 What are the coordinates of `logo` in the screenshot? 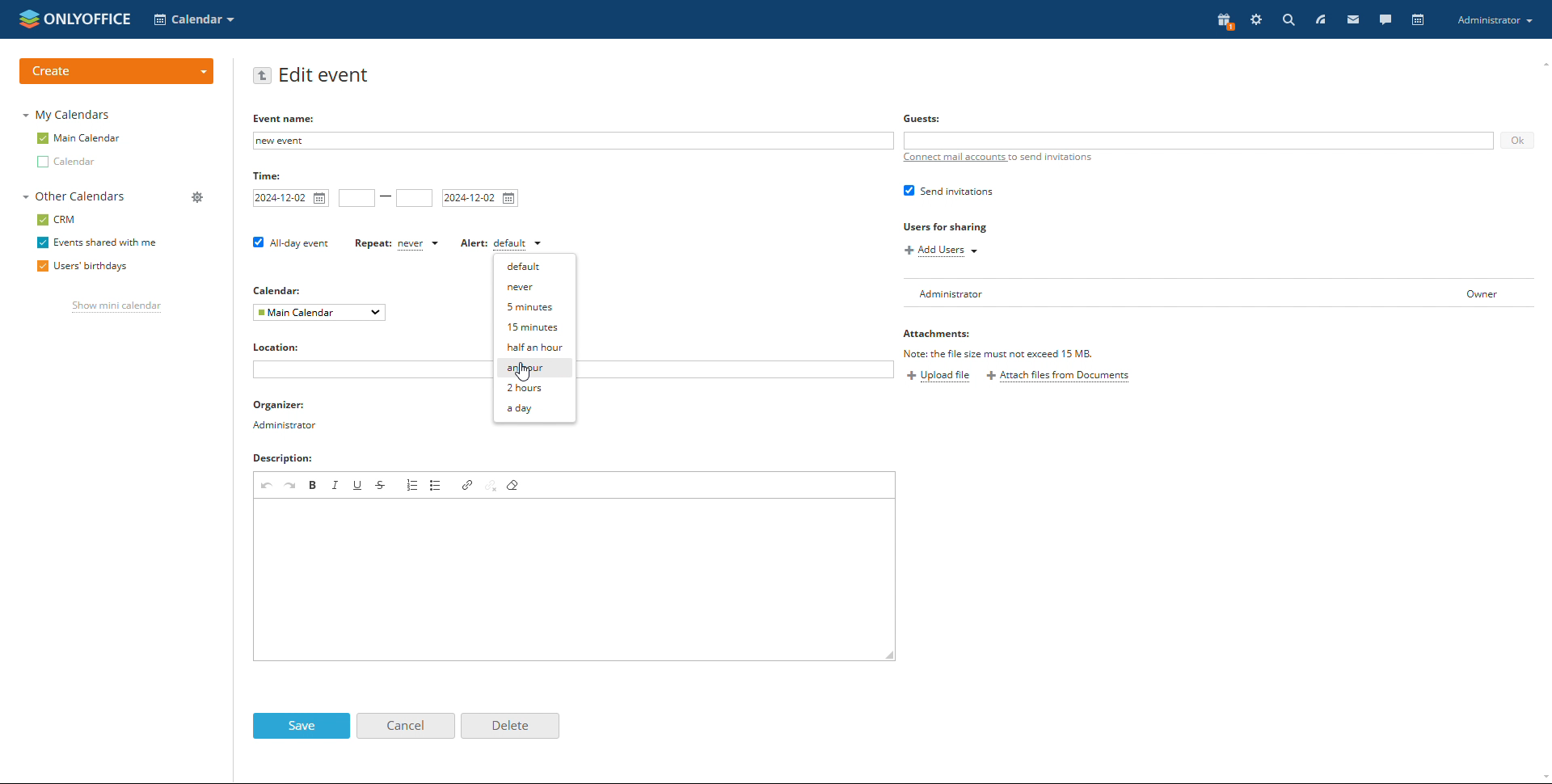 It's located at (74, 19).